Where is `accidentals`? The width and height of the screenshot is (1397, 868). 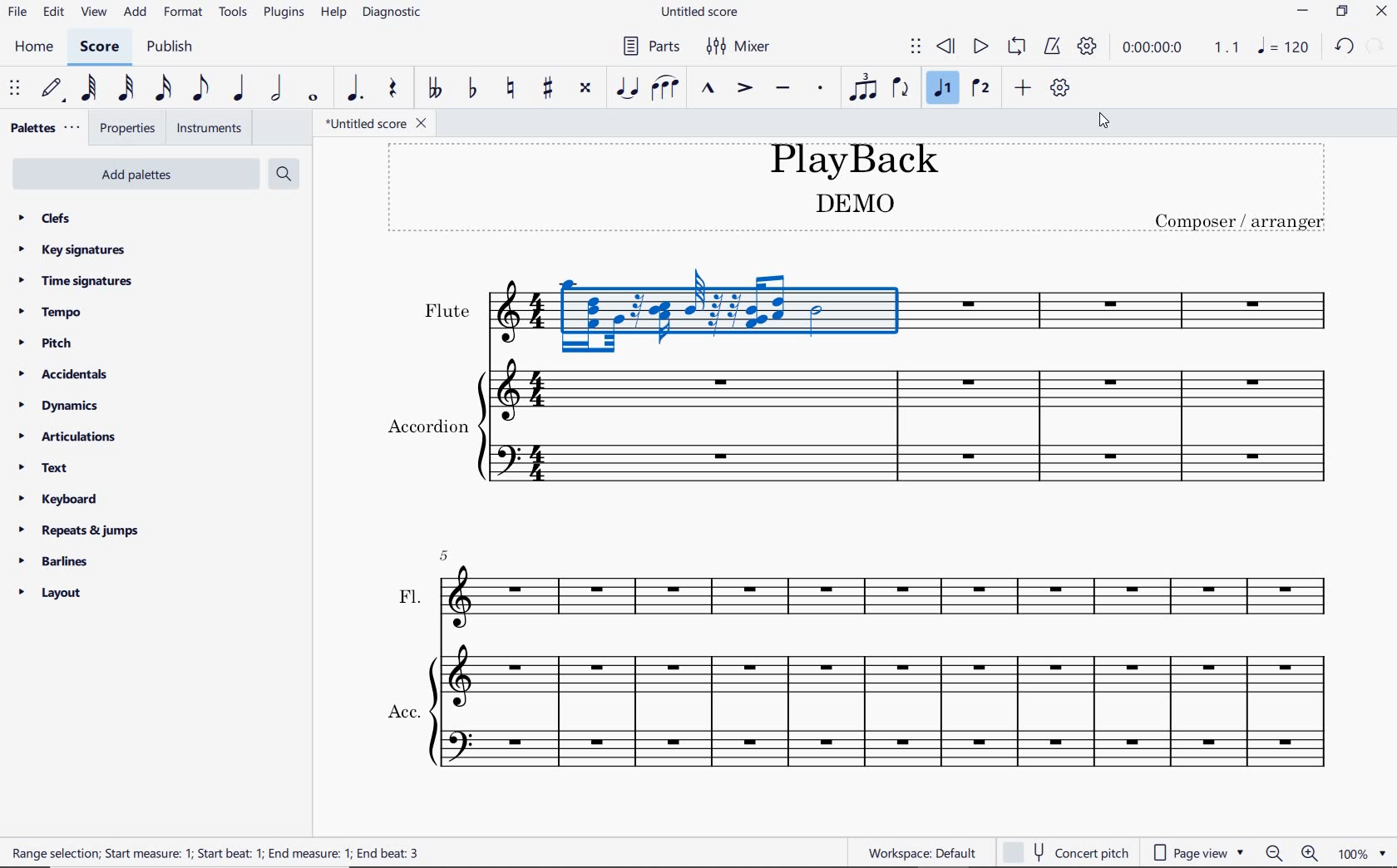 accidentals is located at coordinates (66, 376).